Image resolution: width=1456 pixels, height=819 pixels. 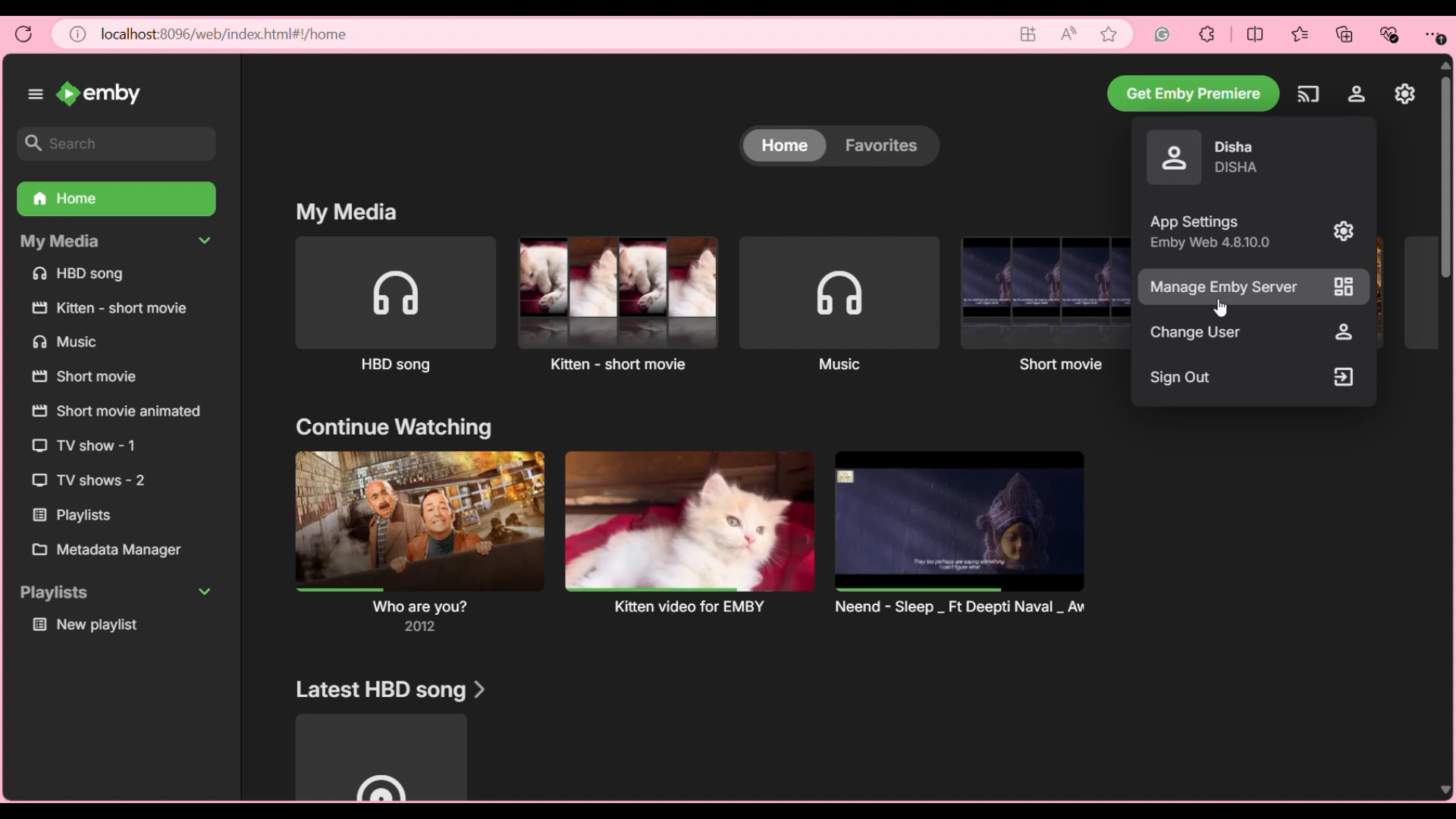 I want to click on Home, current selection highlighted, so click(x=117, y=199).